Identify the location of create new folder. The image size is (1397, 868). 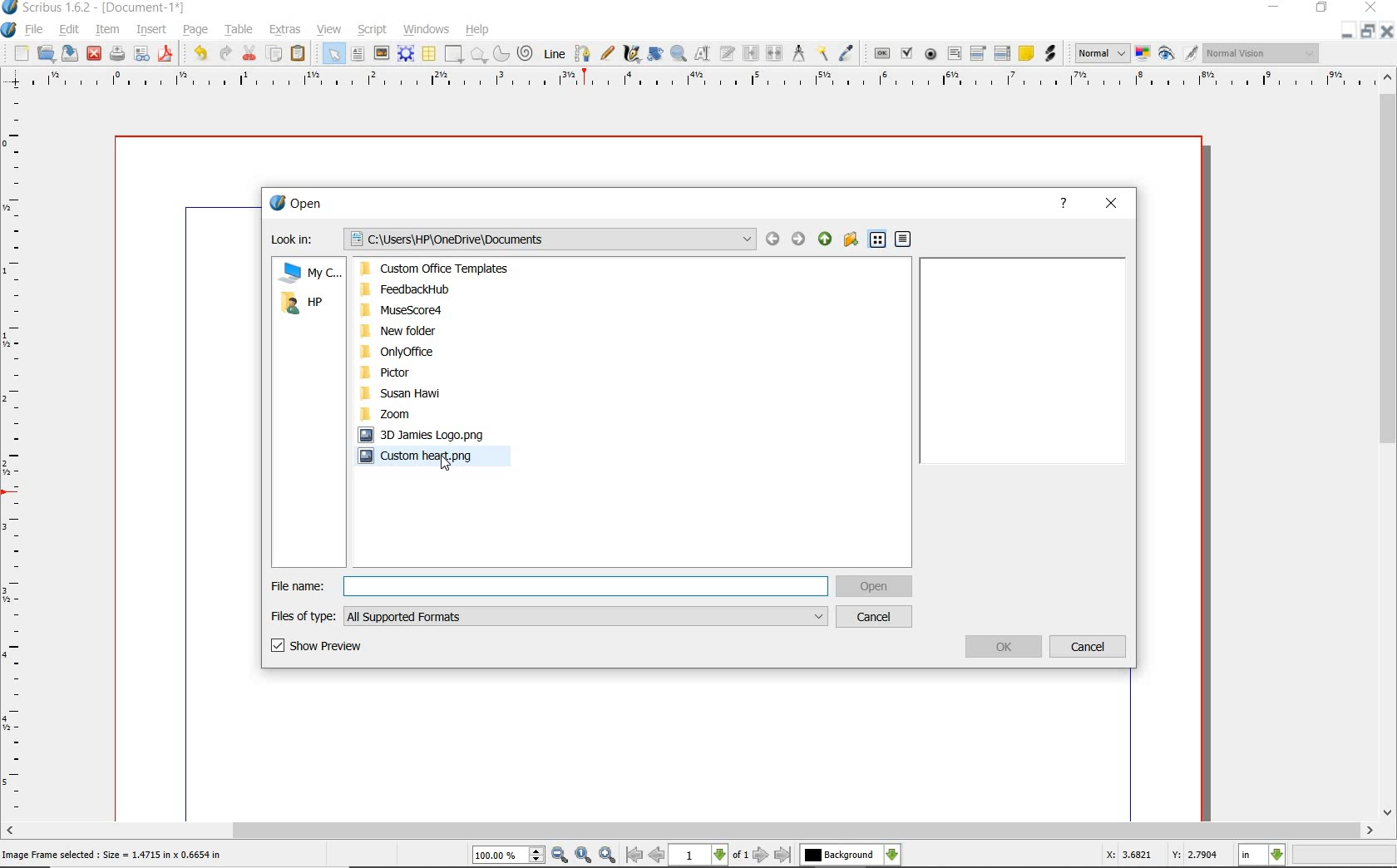
(849, 239).